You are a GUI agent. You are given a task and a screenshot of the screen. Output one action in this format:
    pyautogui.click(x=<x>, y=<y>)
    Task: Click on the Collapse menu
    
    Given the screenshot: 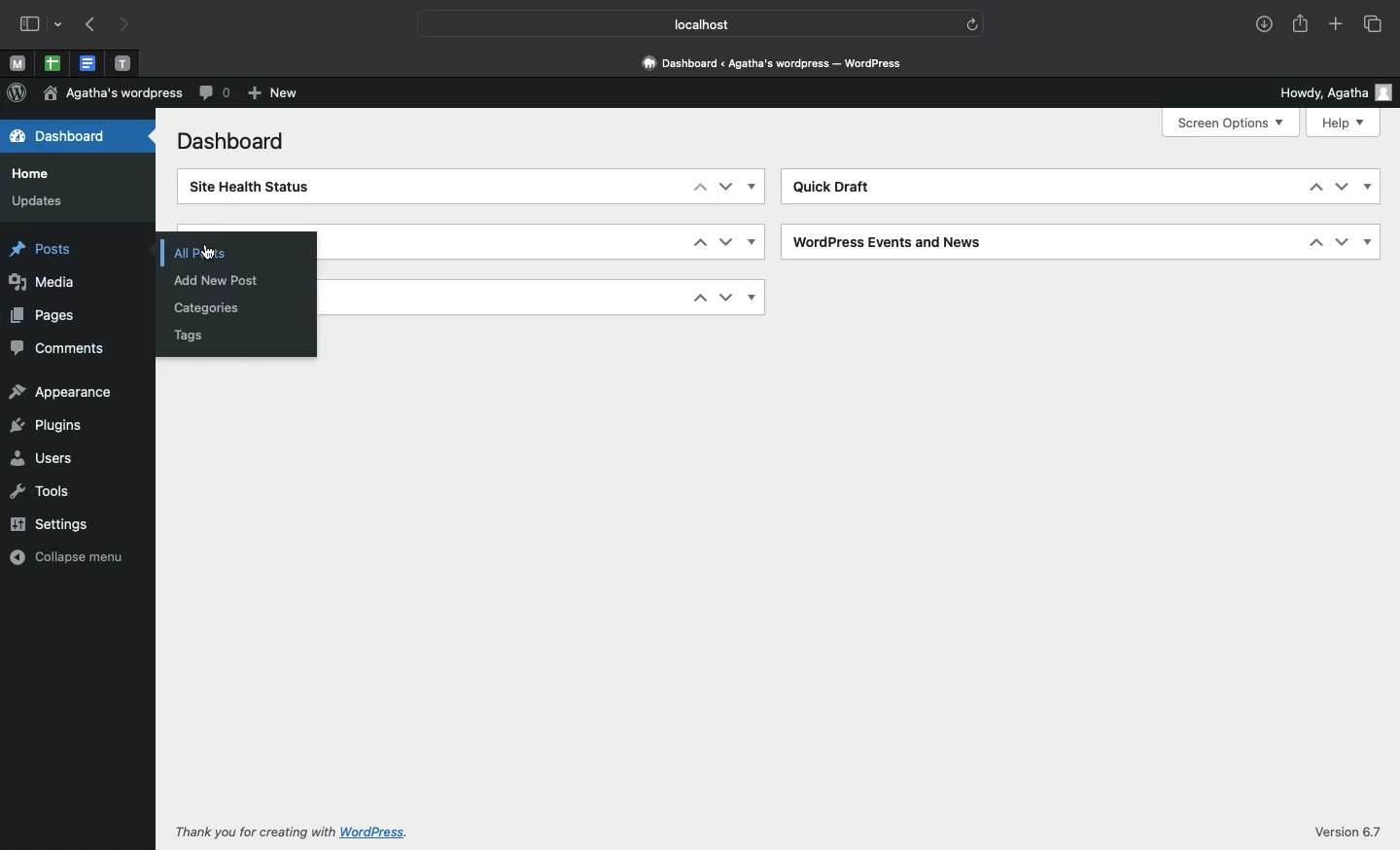 What is the action you would take?
    pyautogui.click(x=69, y=555)
    